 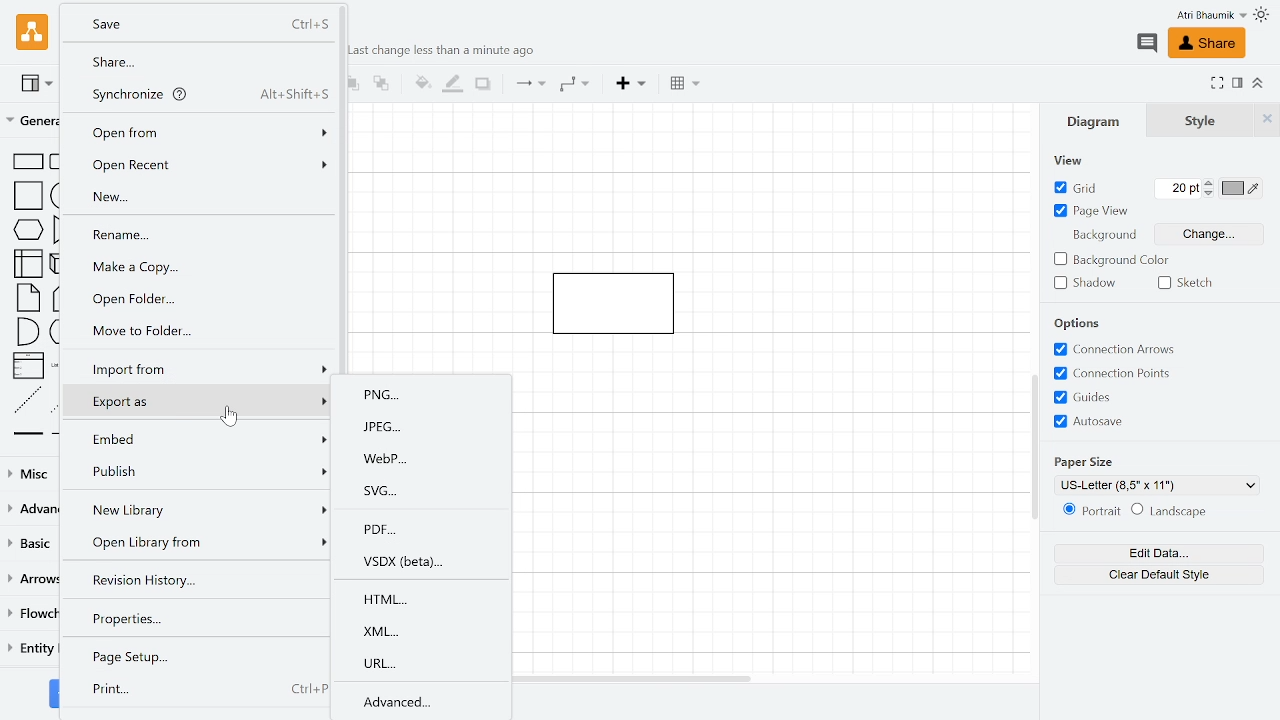 What do you see at coordinates (1258, 84) in the screenshot?
I see `Collapse` at bounding box center [1258, 84].